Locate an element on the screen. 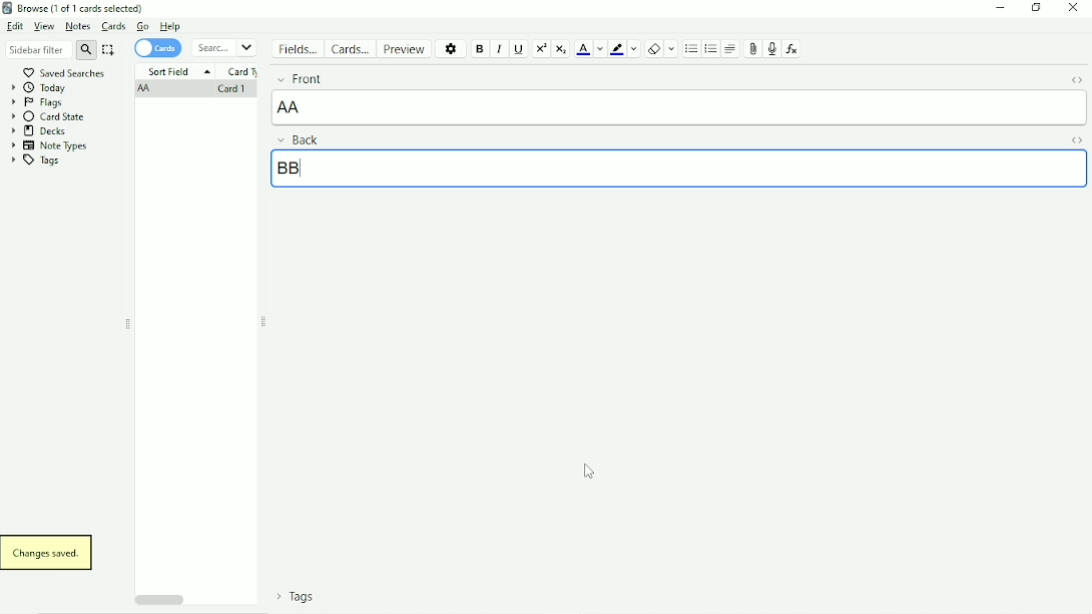 This screenshot has width=1092, height=614. Select is located at coordinates (109, 50).